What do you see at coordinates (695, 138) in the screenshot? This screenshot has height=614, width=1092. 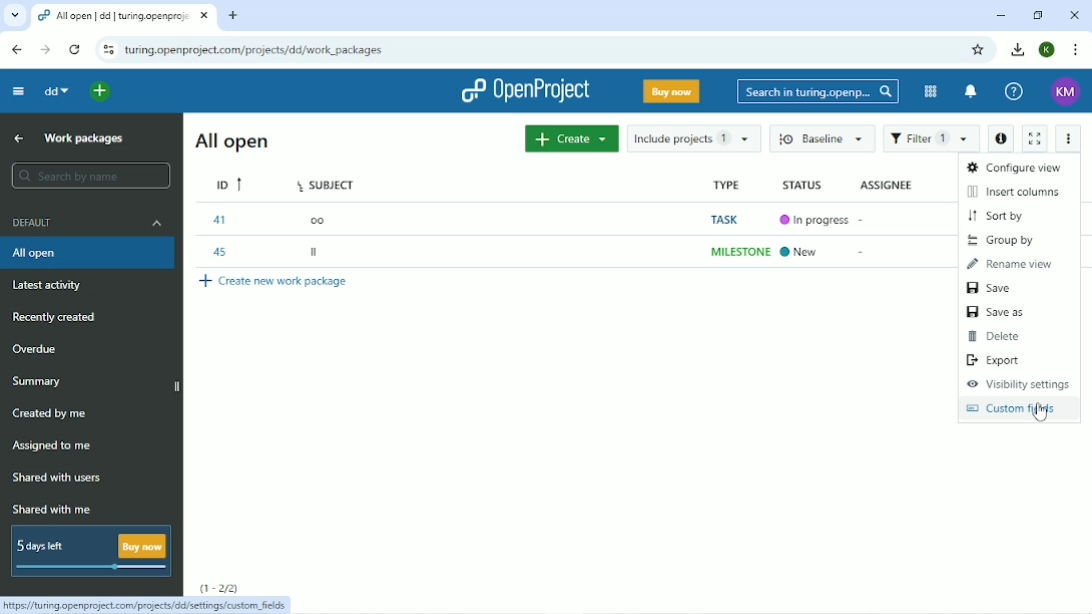 I see `Include projects ` at bounding box center [695, 138].